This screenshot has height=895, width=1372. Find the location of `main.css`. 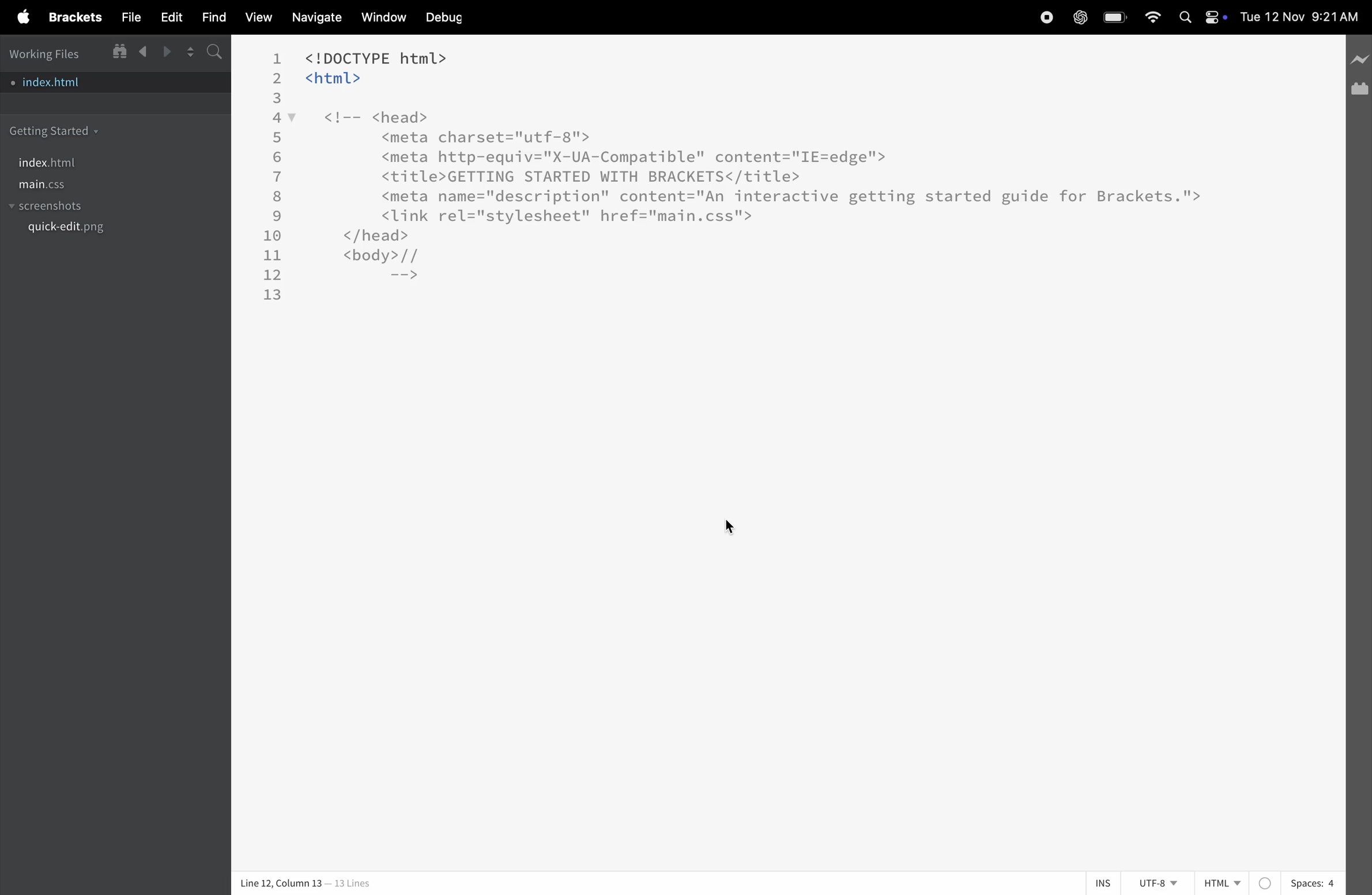

main.css is located at coordinates (74, 184).